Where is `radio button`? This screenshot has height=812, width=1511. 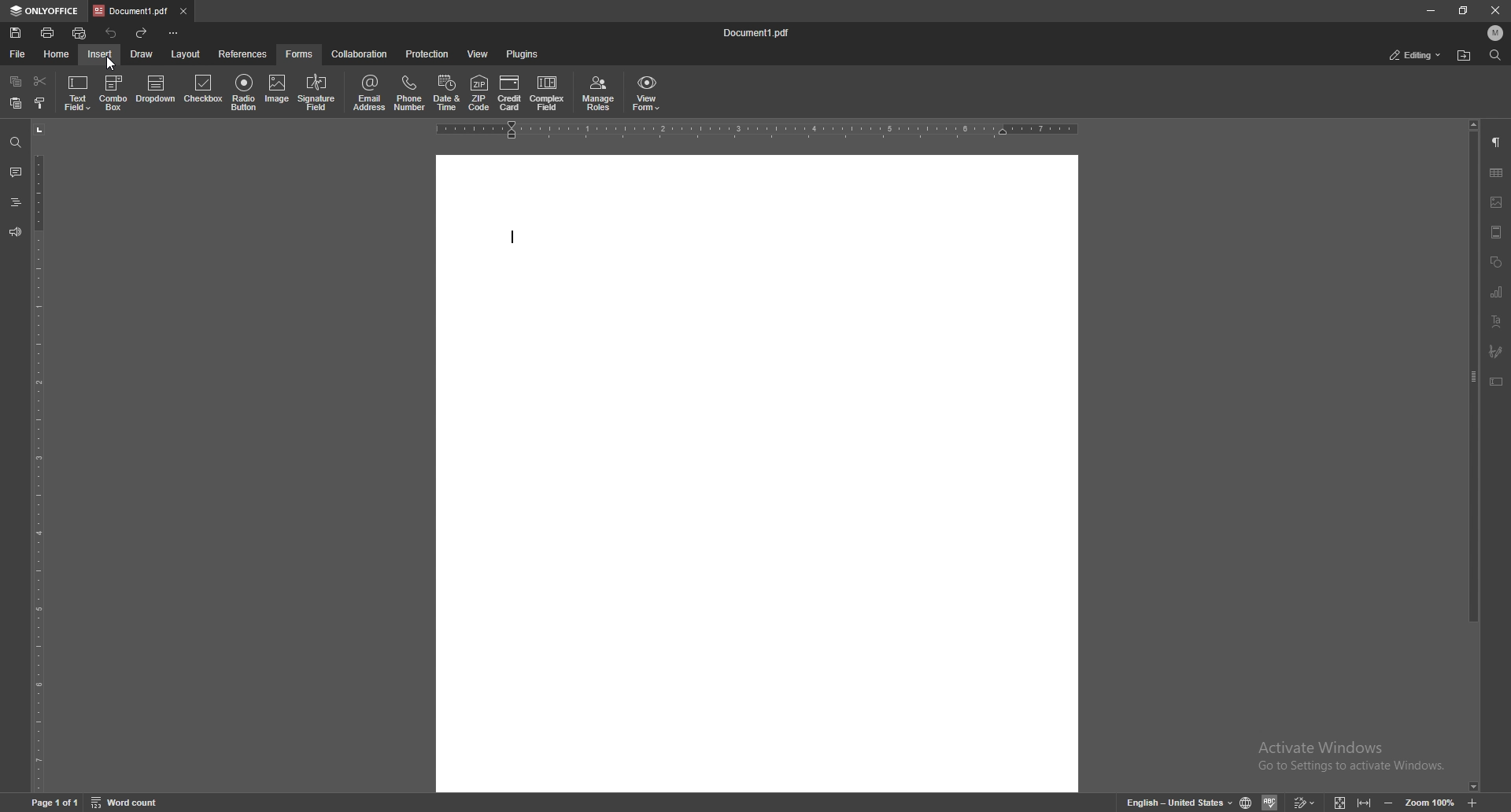
radio button is located at coordinates (244, 91).